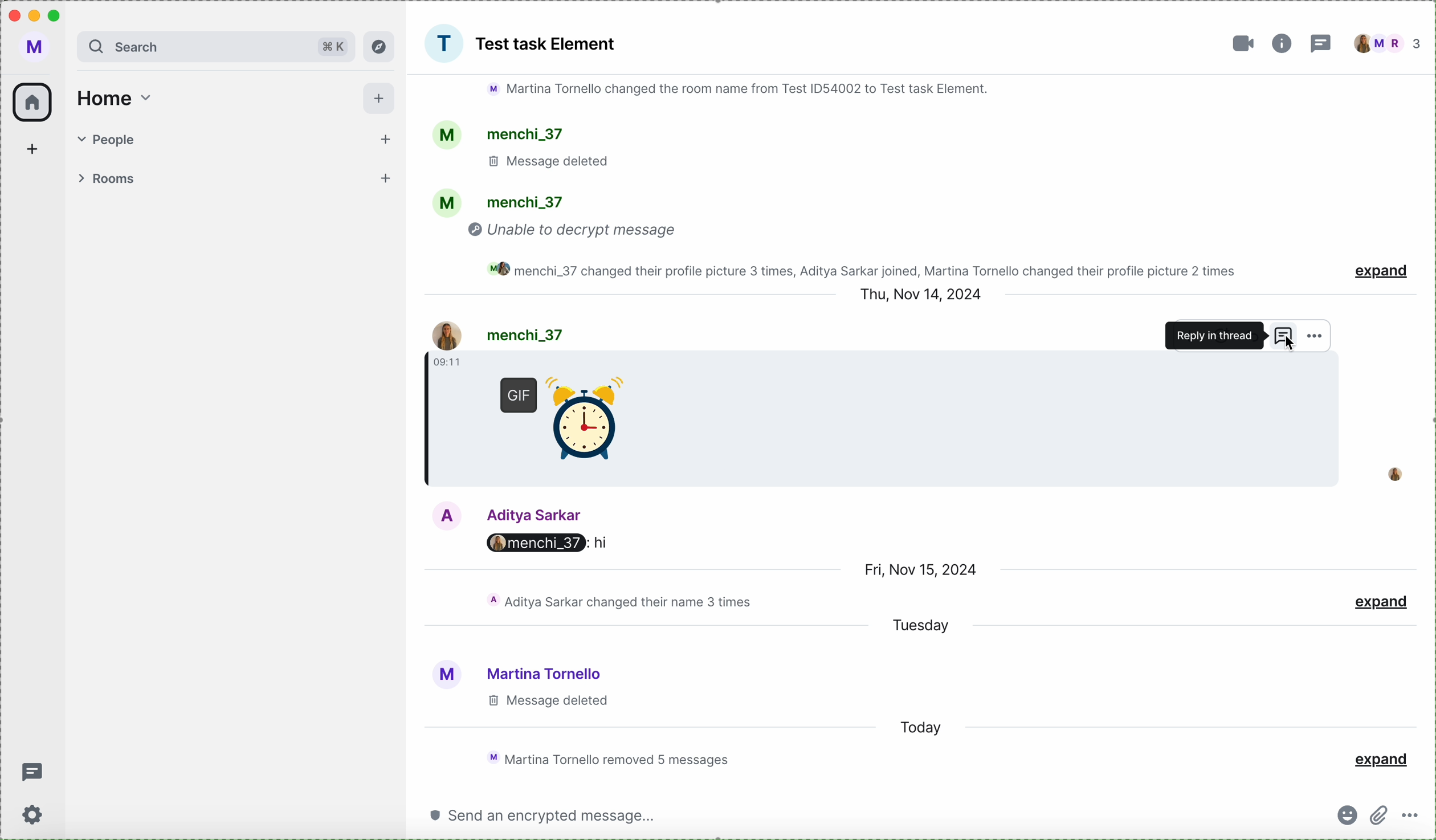 The width and height of the screenshot is (1436, 840). What do you see at coordinates (32, 774) in the screenshot?
I see `threads` at bounding box center [32, 774].